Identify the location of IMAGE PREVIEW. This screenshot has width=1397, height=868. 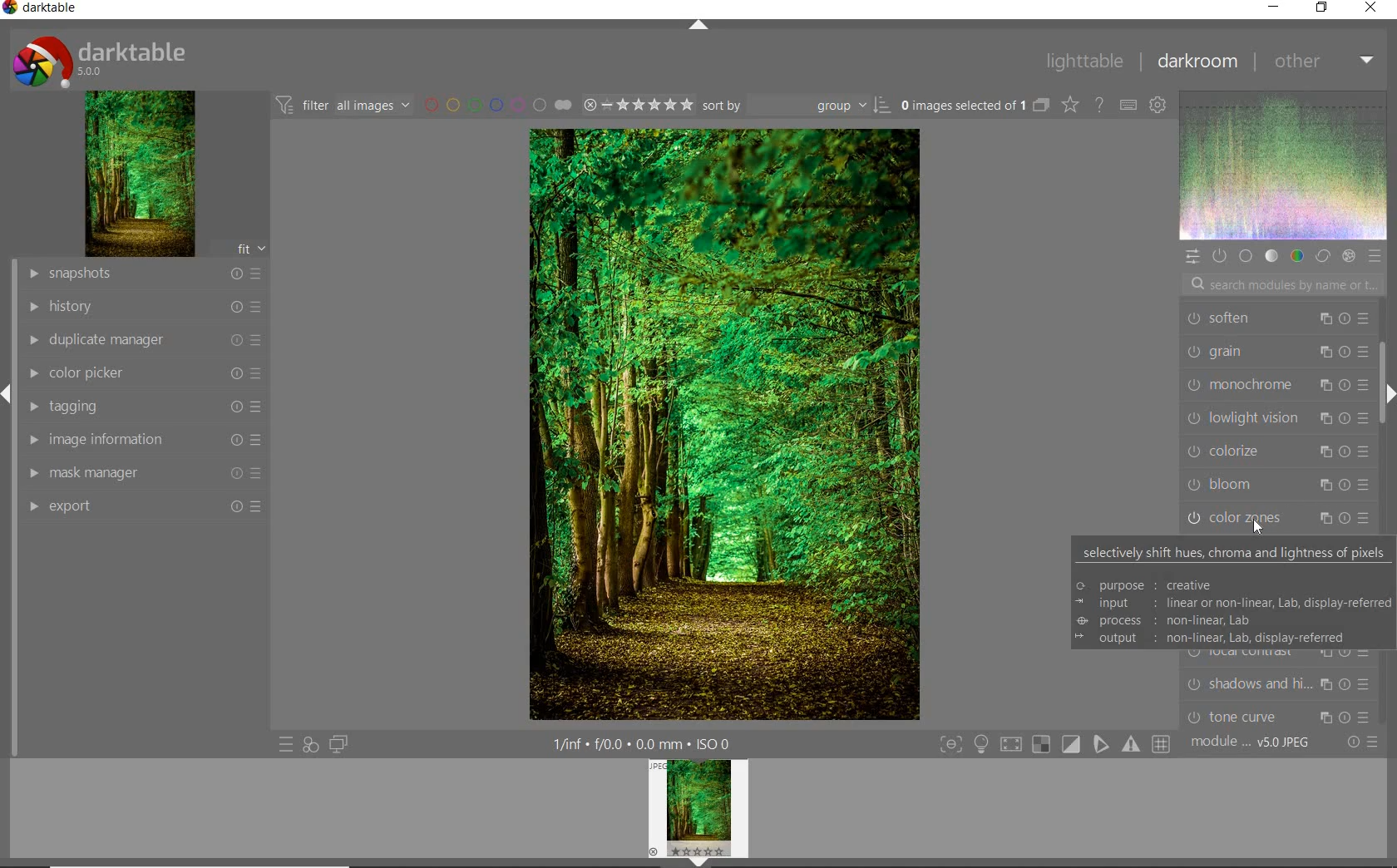
(698, 813).